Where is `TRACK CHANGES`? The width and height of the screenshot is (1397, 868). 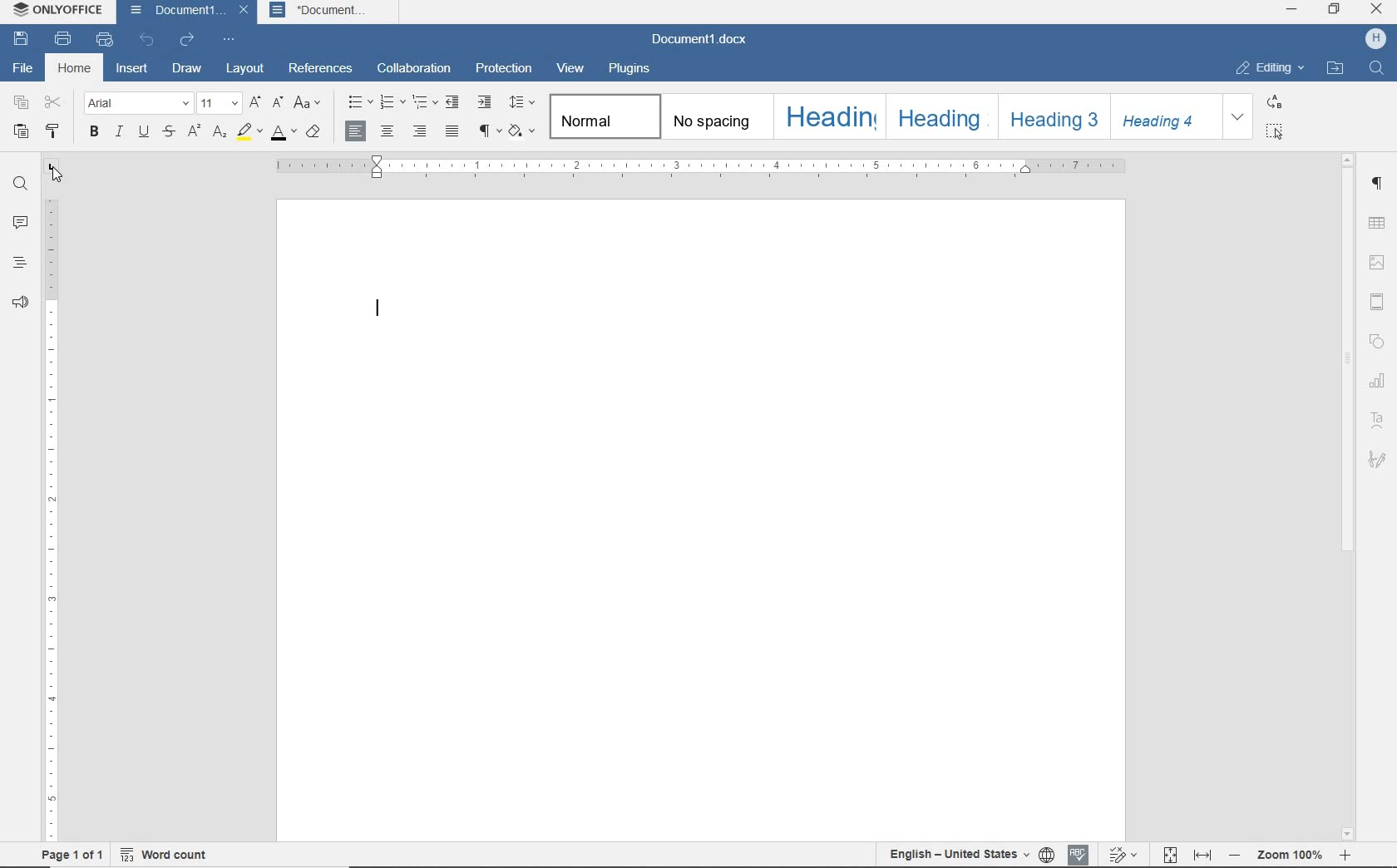
TRACK CHANGES is located at coordinates (1119, 856).